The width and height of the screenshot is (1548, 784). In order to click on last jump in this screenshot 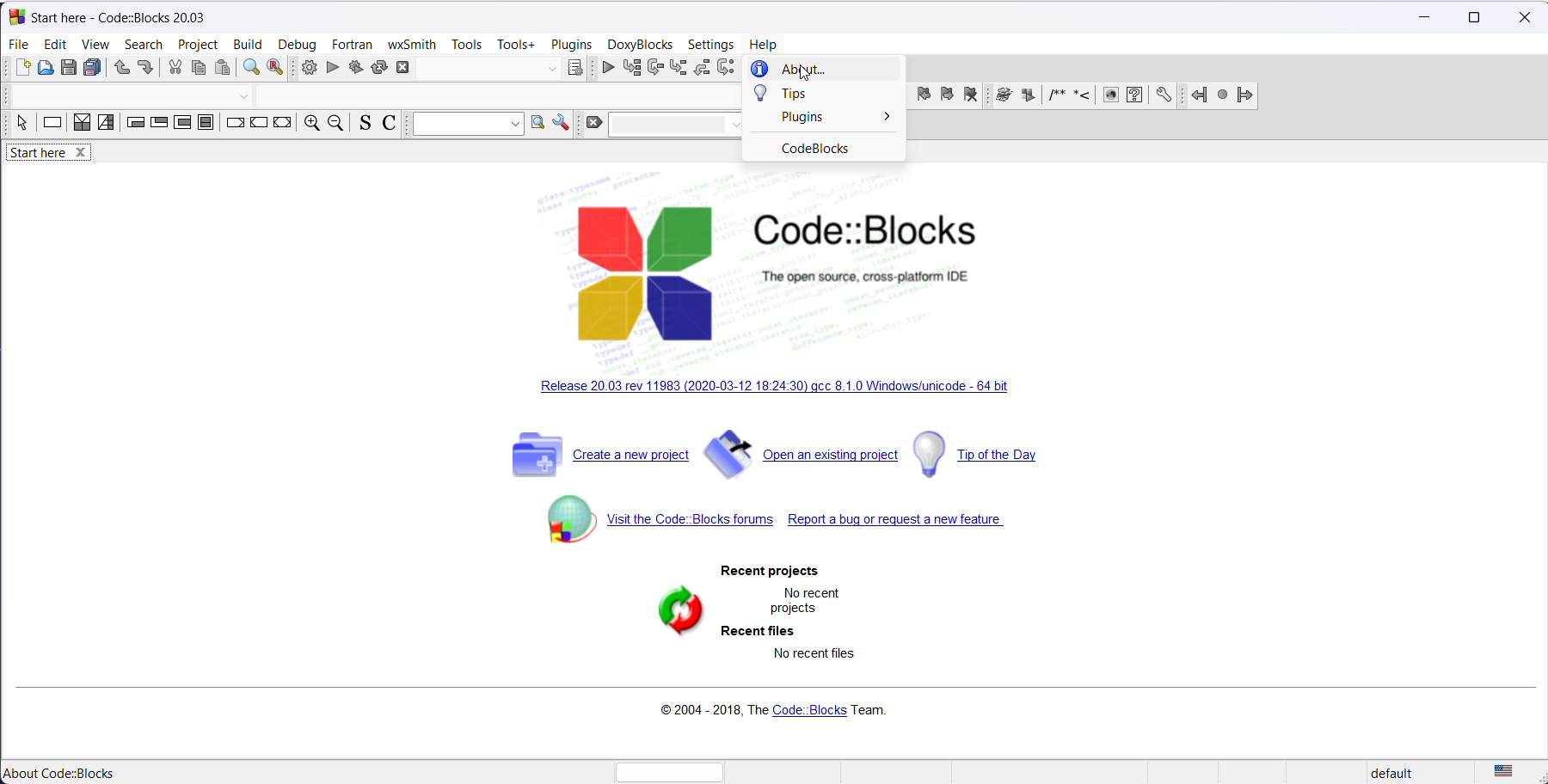, I will do `click(1221, 94)`.